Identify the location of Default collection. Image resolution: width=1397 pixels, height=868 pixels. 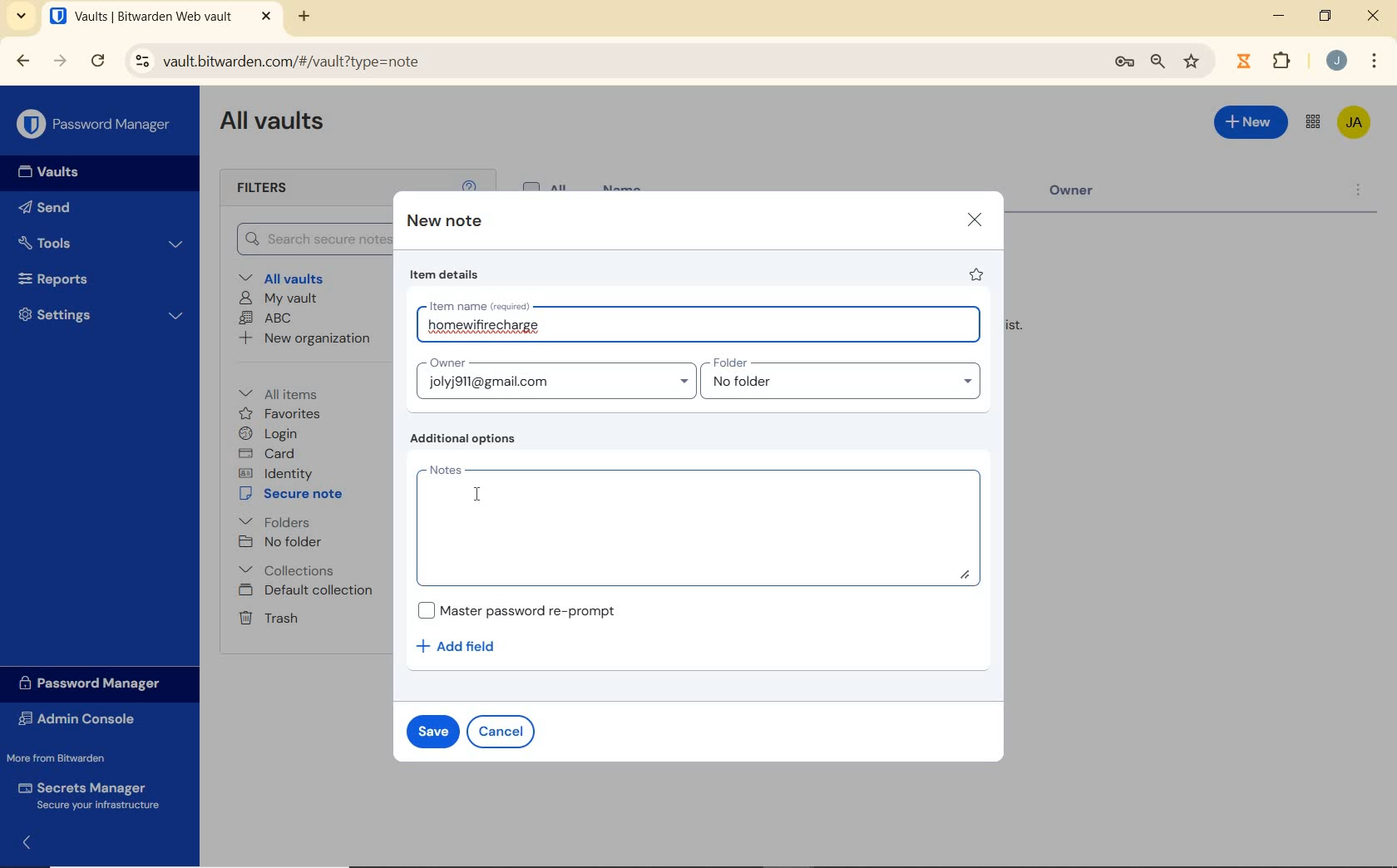
(308, 591).